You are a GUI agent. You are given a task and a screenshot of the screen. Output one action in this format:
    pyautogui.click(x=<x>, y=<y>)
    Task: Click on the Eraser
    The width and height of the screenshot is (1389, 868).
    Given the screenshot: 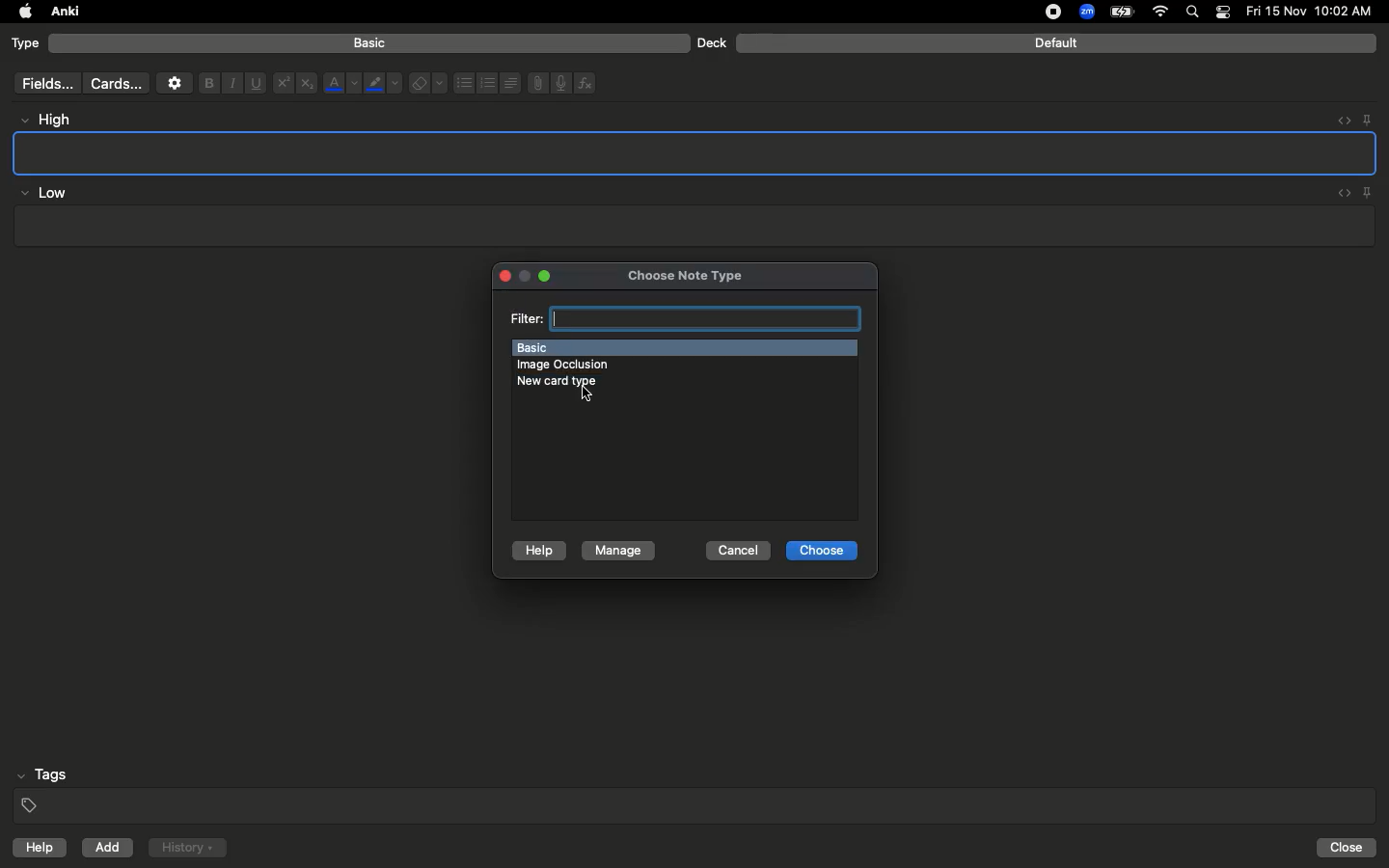 What is the action you would take?
    pyautogui.click(x=427, y=84)
    